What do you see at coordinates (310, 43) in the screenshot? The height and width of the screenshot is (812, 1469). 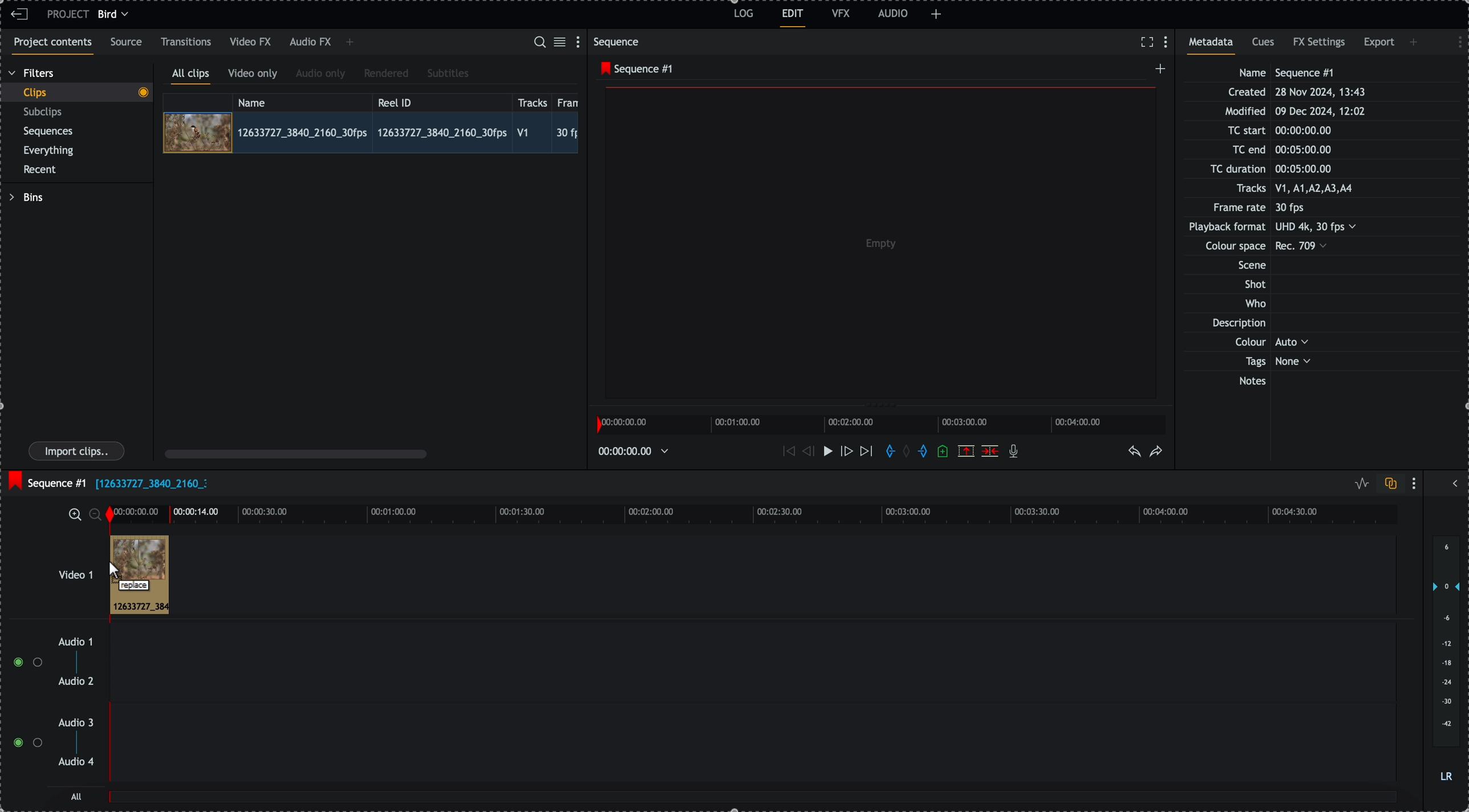 I see `audio FX` at bounding box center [310, 43].